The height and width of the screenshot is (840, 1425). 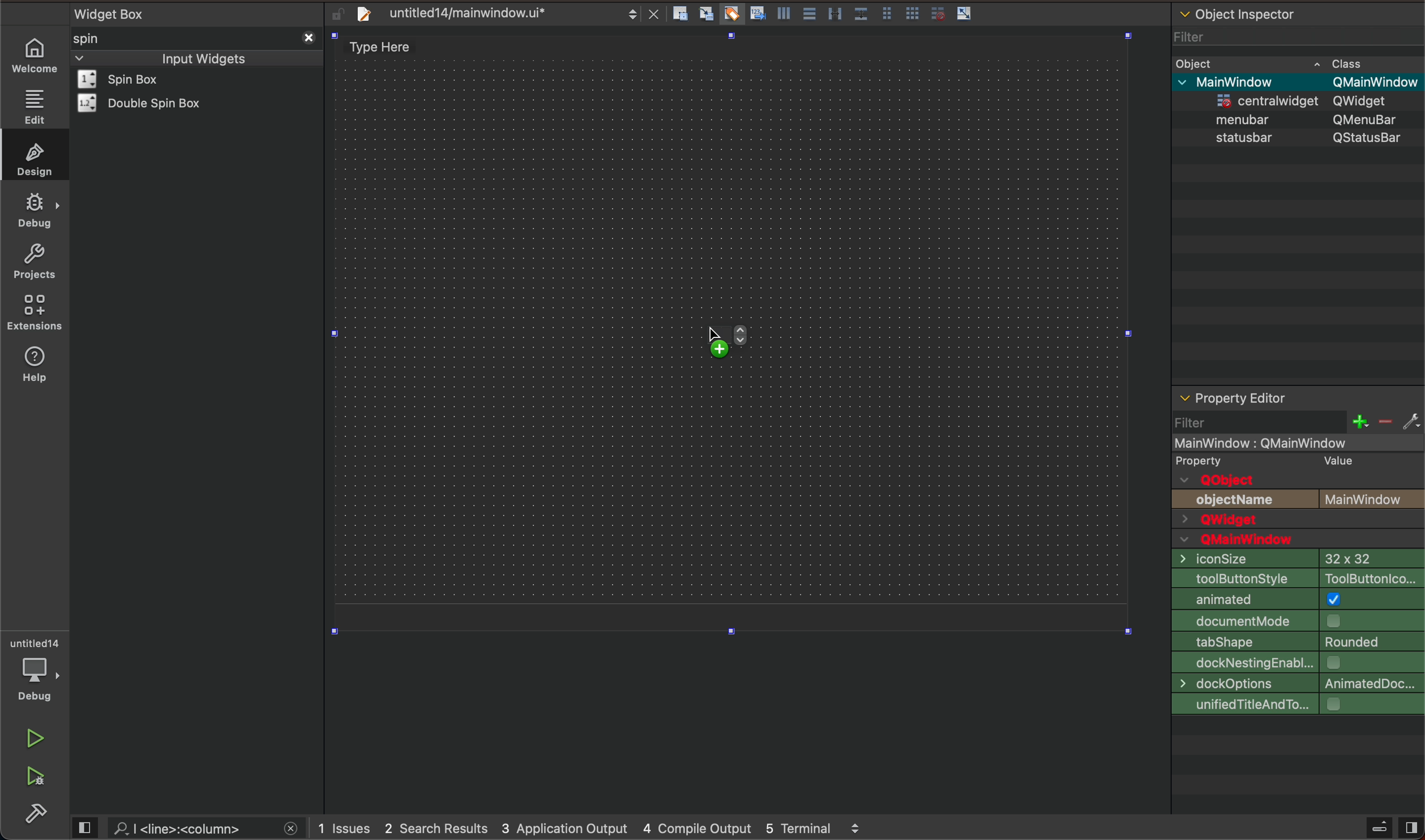 What do you see at coordinates (37, 779) in the screenshot?
I see `run and debug` at bounding box center [37, 779].